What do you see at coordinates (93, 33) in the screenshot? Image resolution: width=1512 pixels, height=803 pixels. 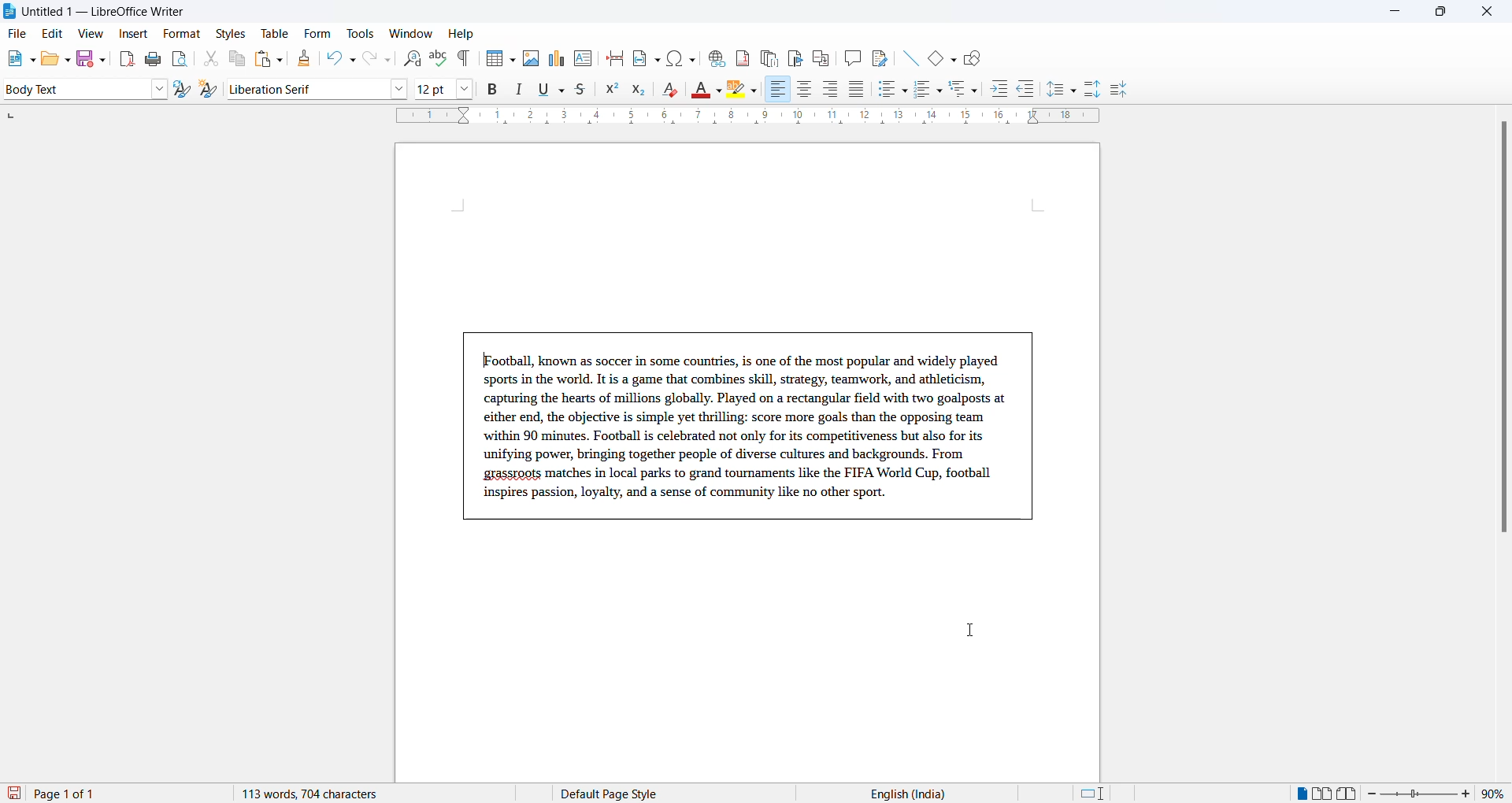 I see `view` at bounding box center [93, 33].